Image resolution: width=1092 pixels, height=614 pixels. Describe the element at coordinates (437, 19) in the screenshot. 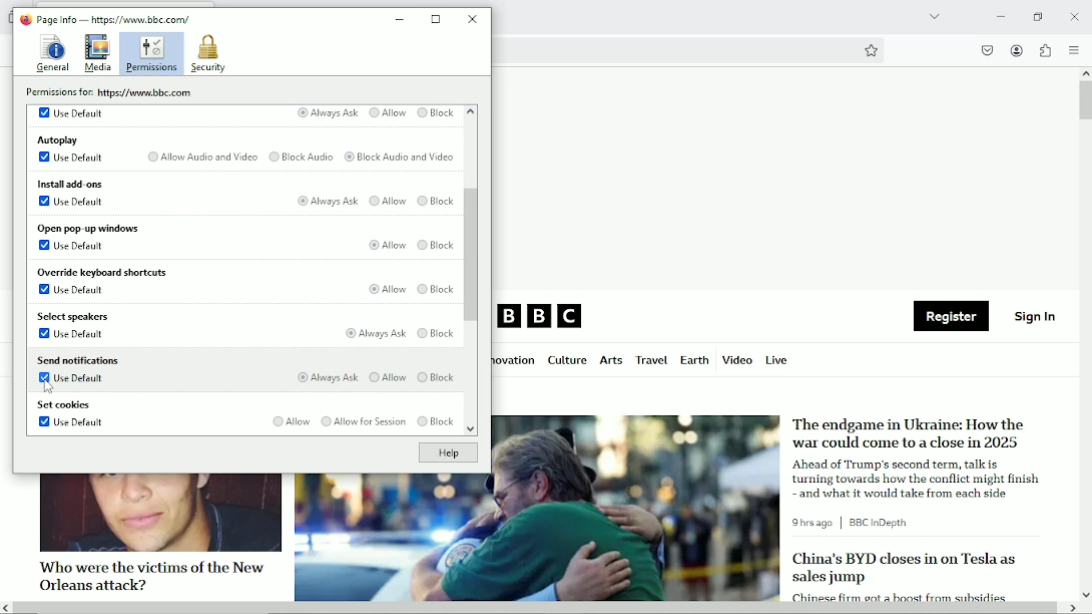

I see `resize` at that location.